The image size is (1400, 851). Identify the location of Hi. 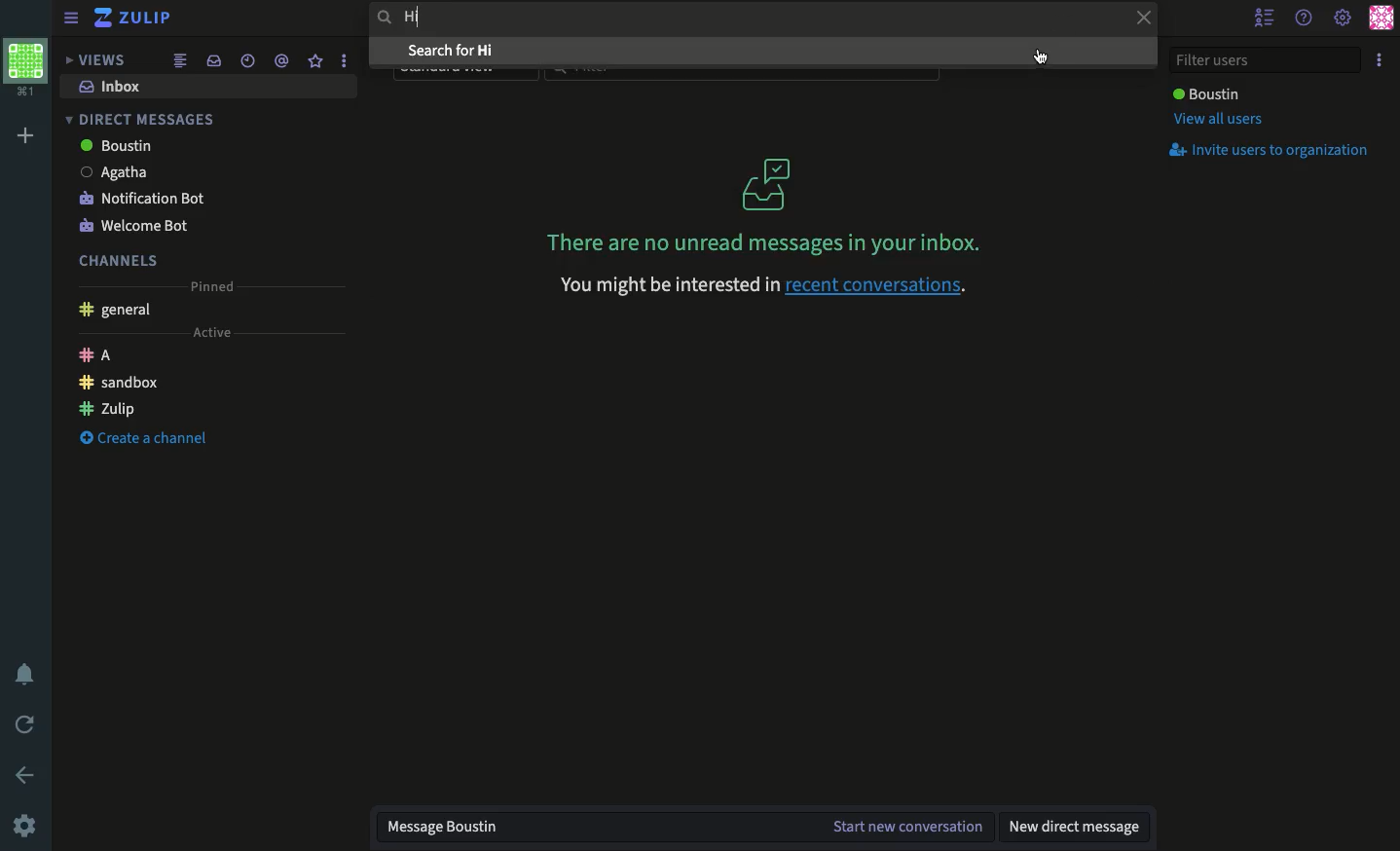
(407, 17).